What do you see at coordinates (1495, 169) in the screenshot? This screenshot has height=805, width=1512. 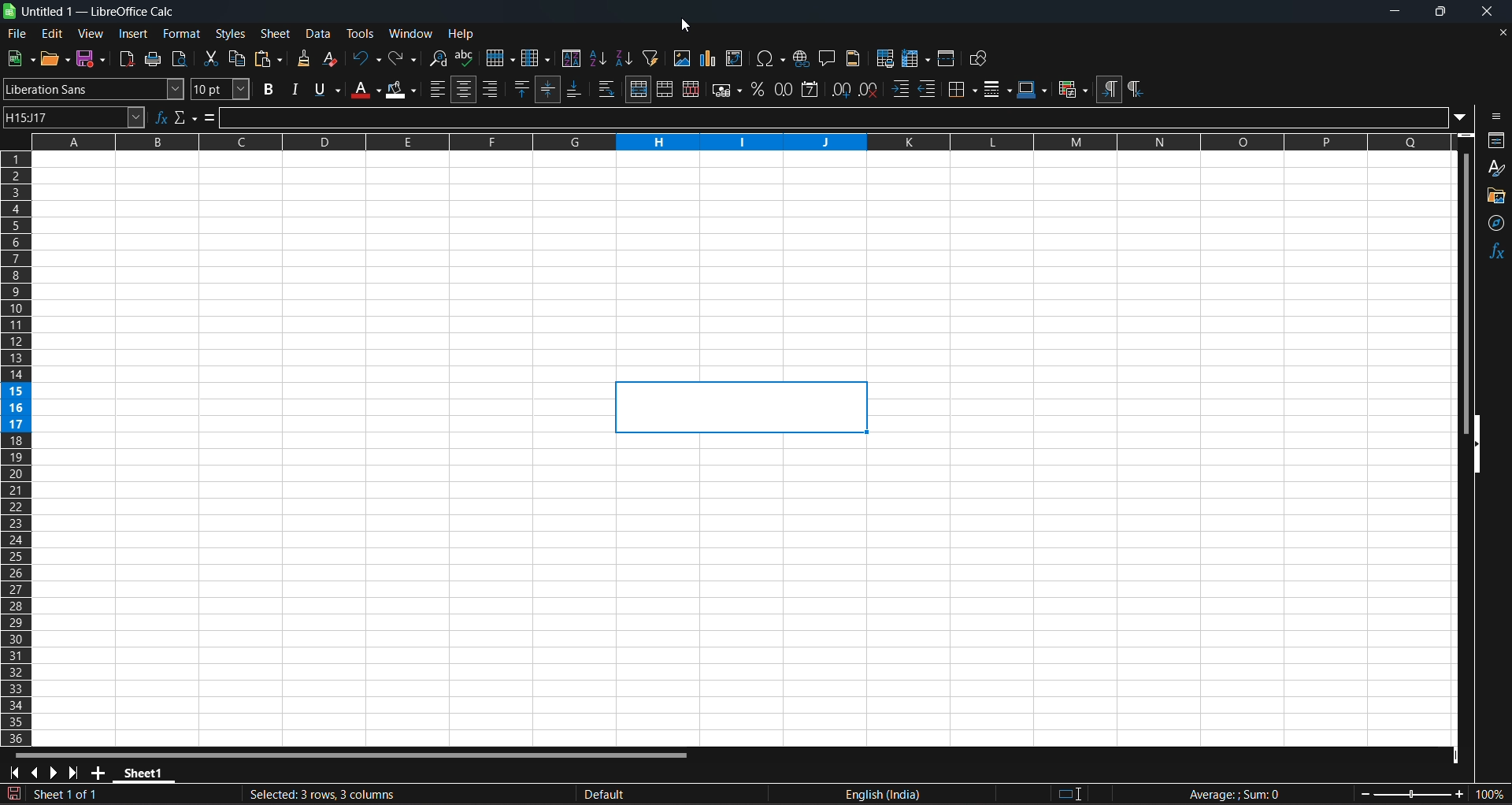 I see `styles` at bounding box center [1495, 169].